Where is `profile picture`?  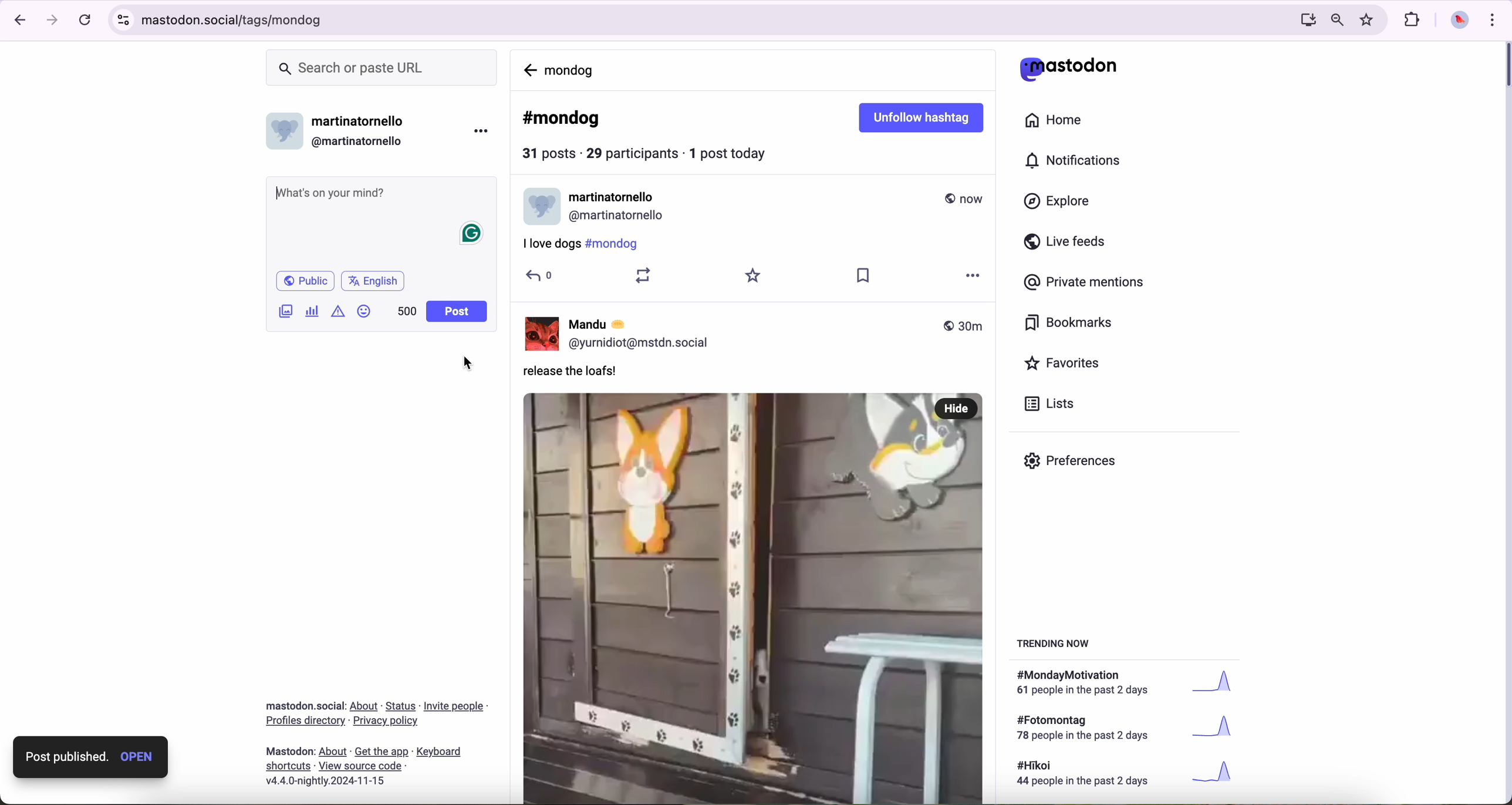
profile picture is located at coordinates (1460, 22).